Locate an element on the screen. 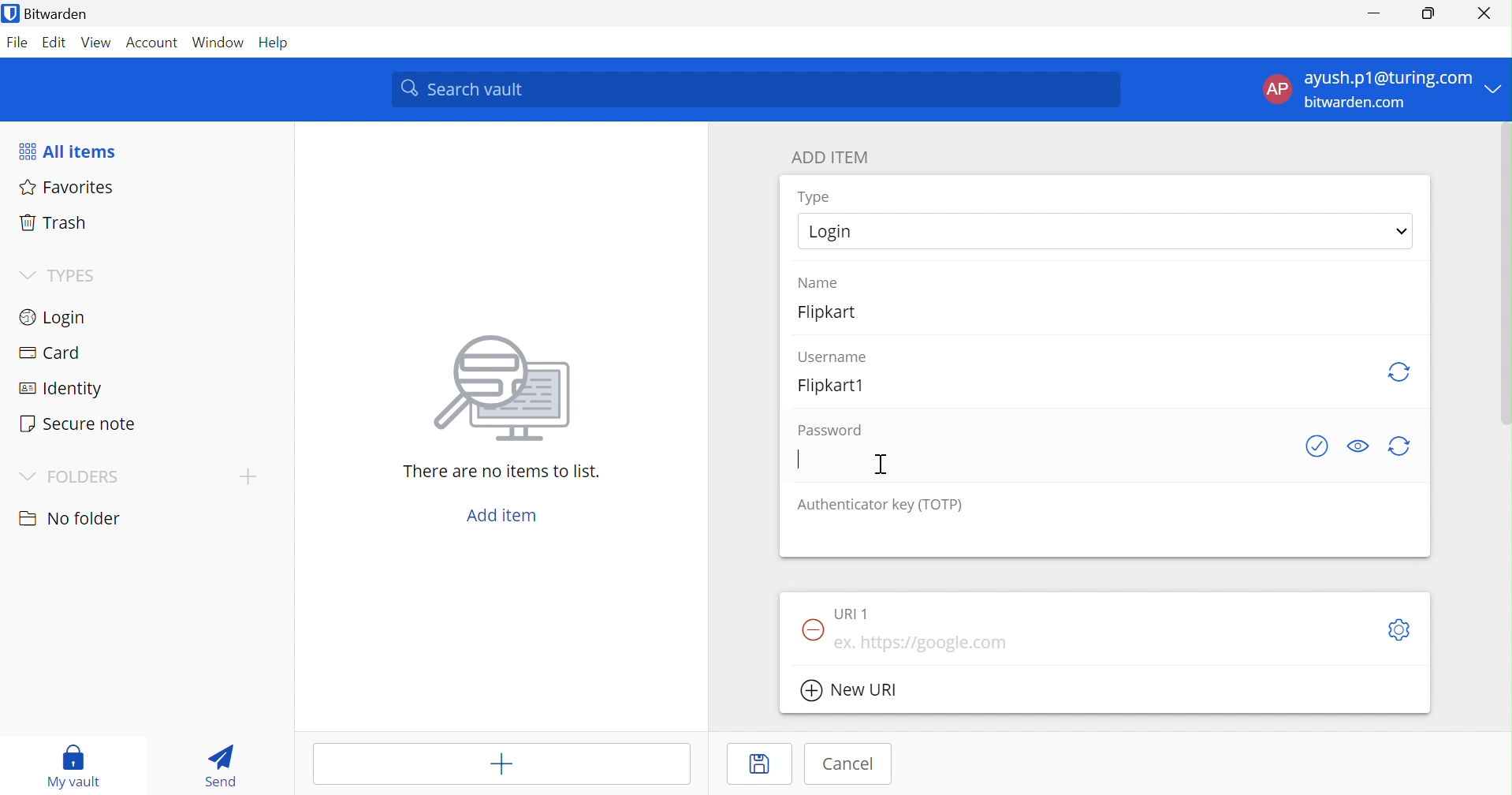 The width and height of the screenshot is (1512, 795). Name is located at coordinates (821, 281).